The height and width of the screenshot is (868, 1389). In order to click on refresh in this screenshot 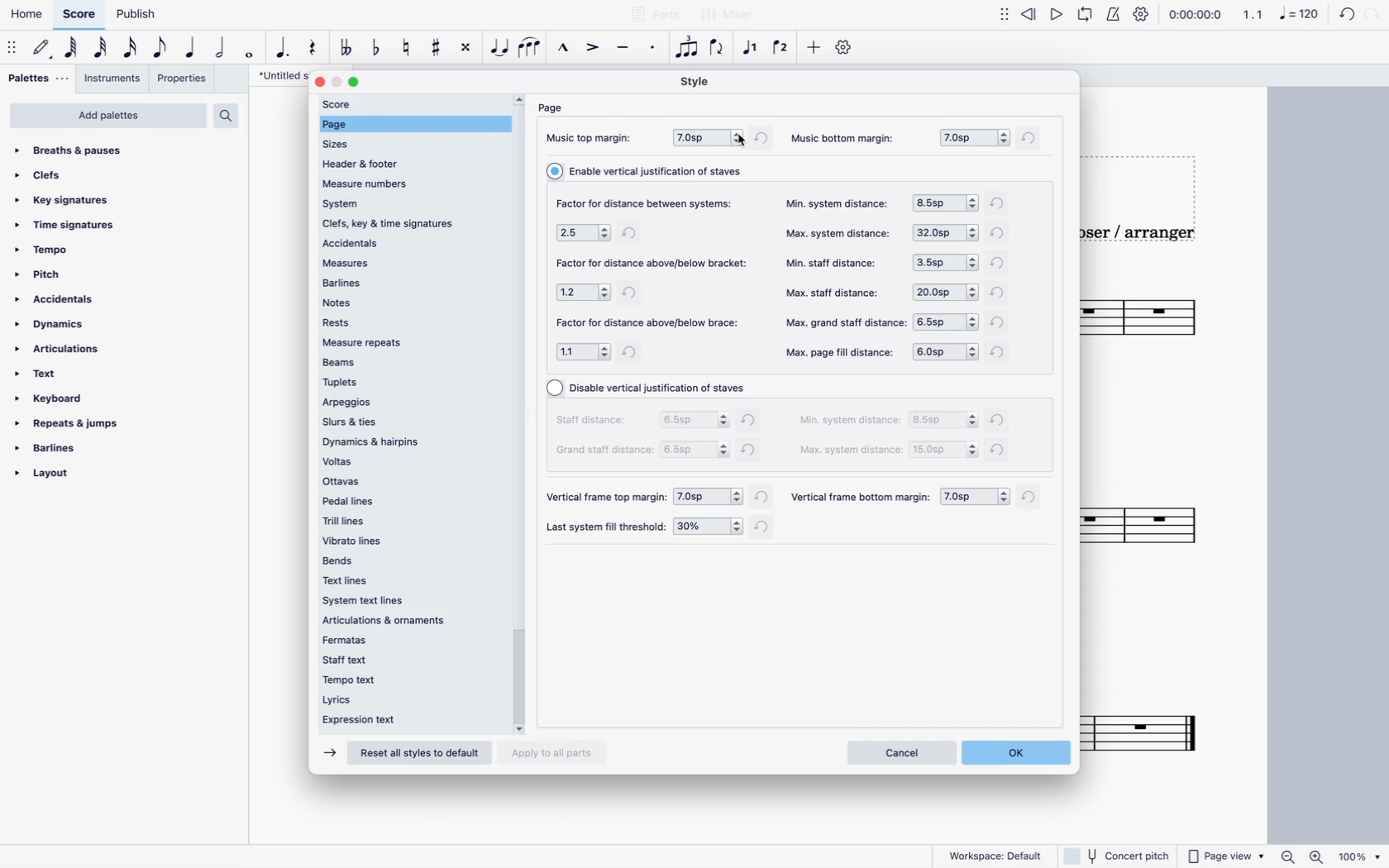, I will do `click(765, 138)`.